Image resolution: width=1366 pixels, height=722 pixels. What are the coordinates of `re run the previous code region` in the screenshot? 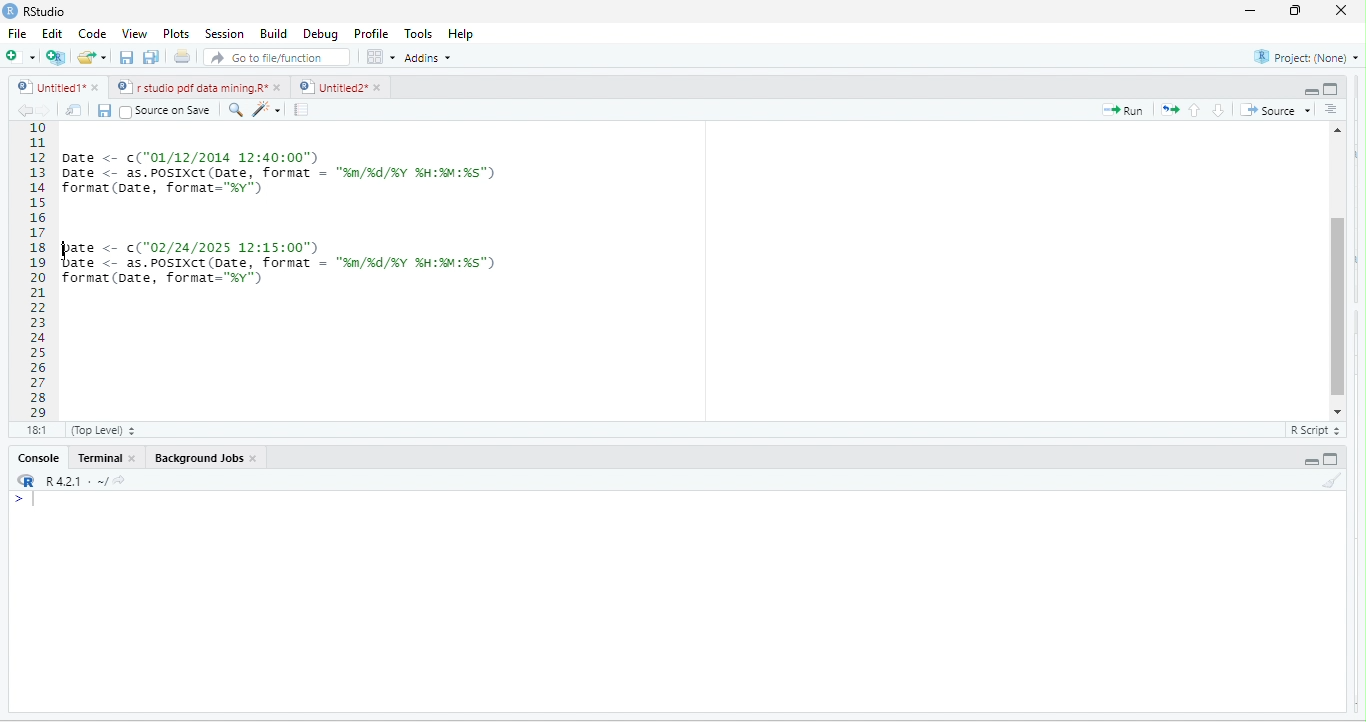 It's located at (1173, 108).